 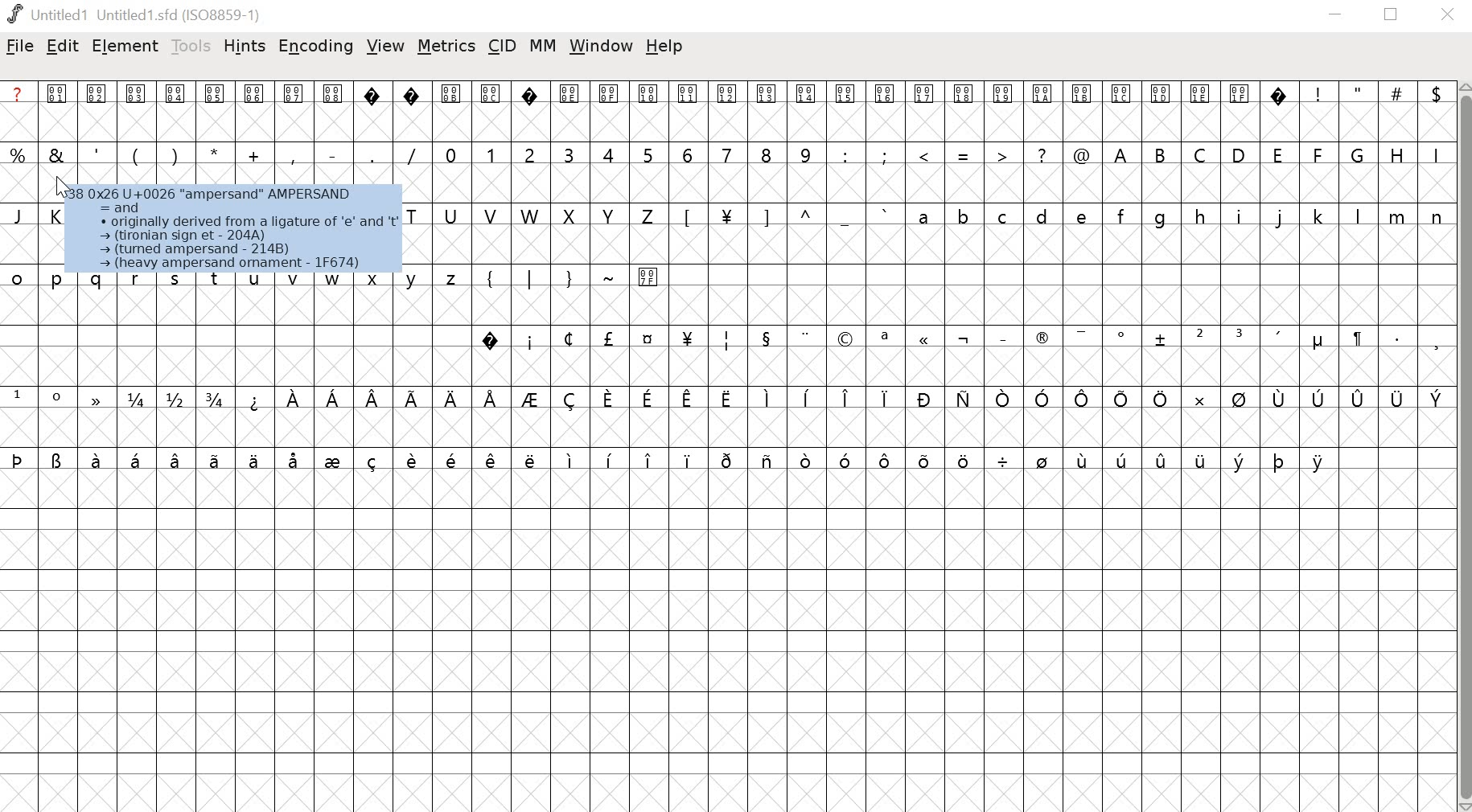 What do you see at coordinates (667, 47) in the screenshot?
I see `help` at bounding box center [667, 47].